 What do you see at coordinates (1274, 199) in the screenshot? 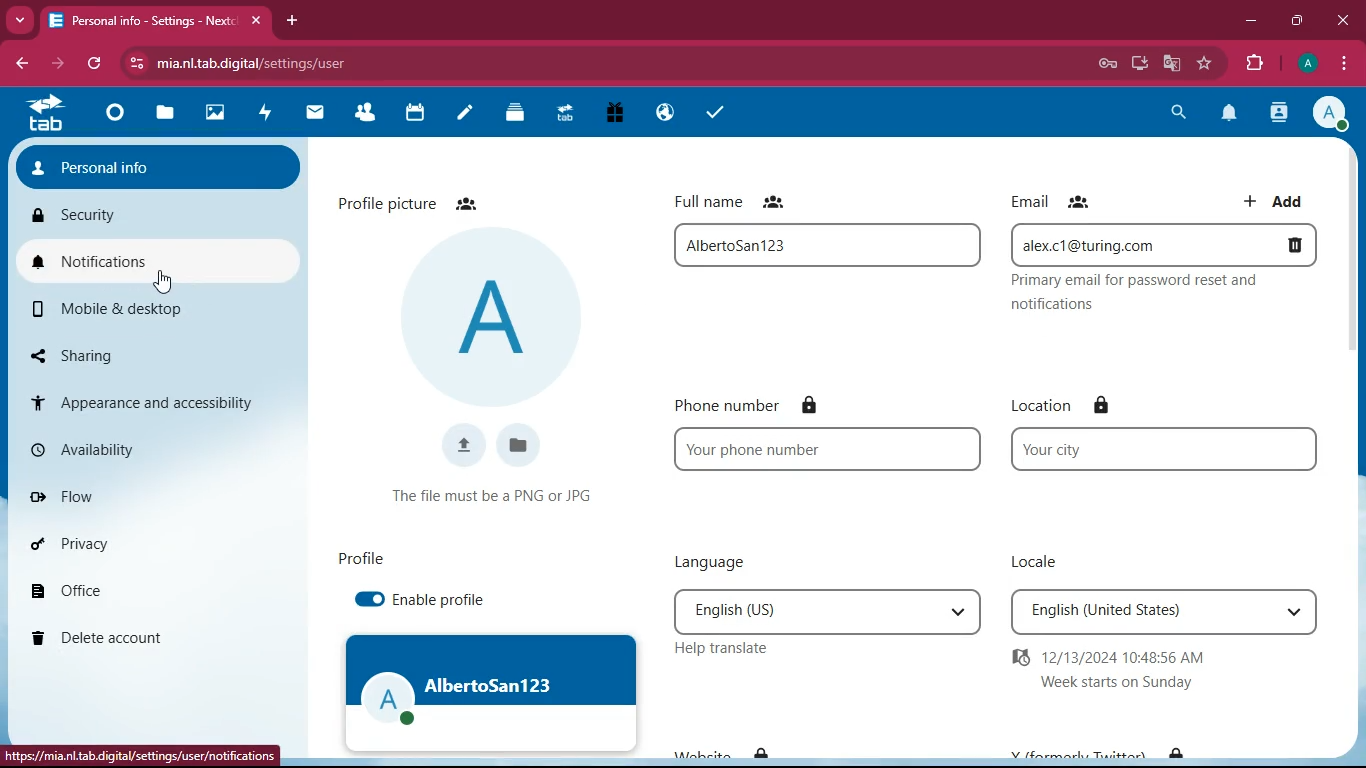
I see `add` at bounding box center [1274, 199].